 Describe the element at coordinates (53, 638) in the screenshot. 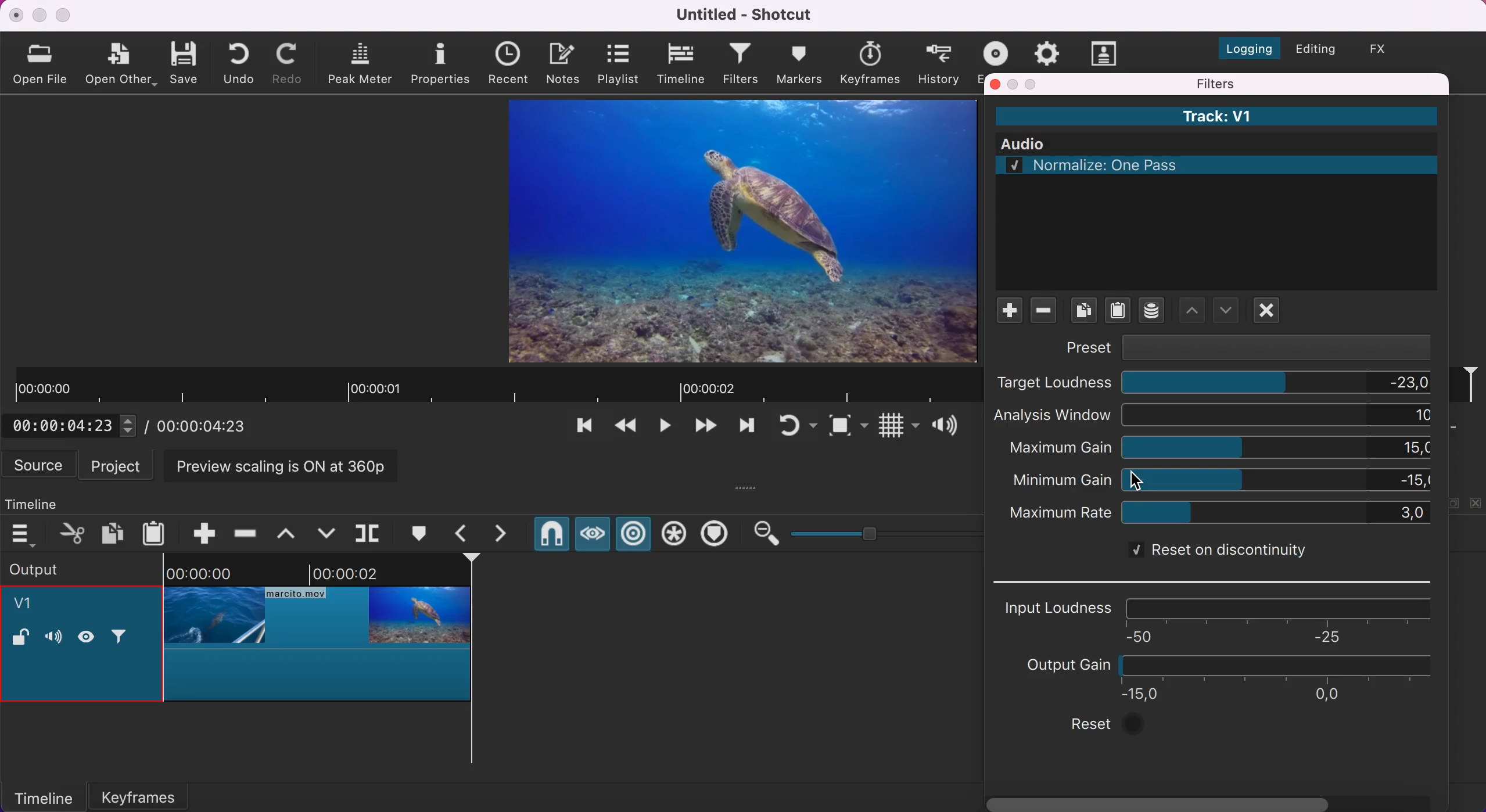

I see `volume` at that location.